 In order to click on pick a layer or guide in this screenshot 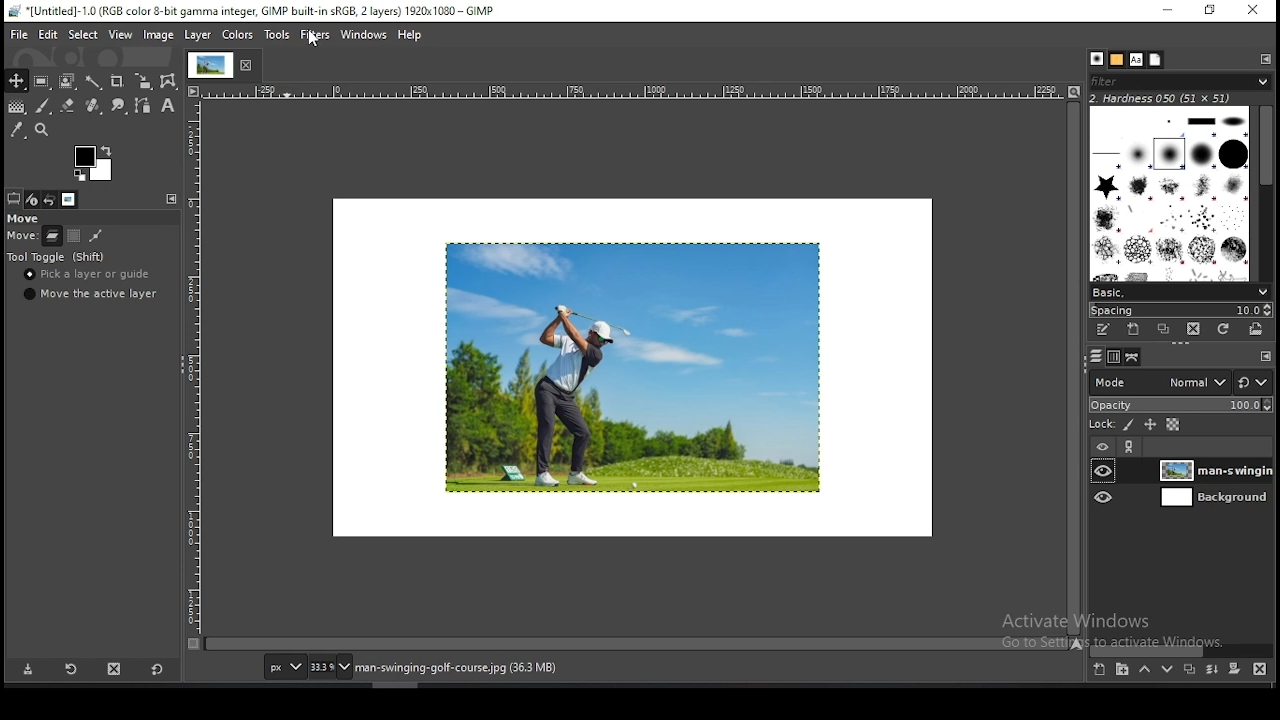, I will do `click(93, 276)`.